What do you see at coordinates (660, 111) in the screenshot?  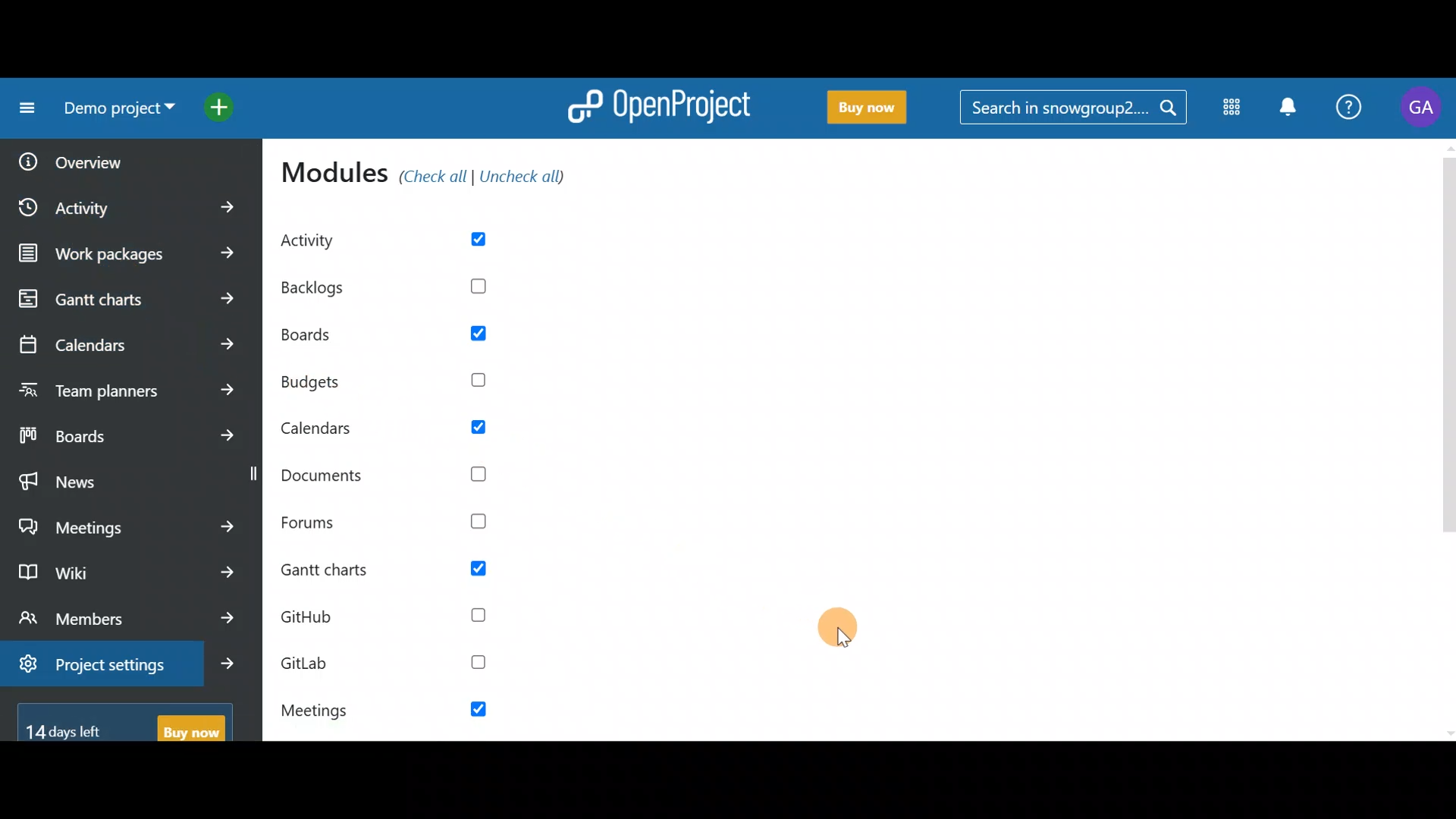 I see `OpenProject` at bounding box center [660, 111].